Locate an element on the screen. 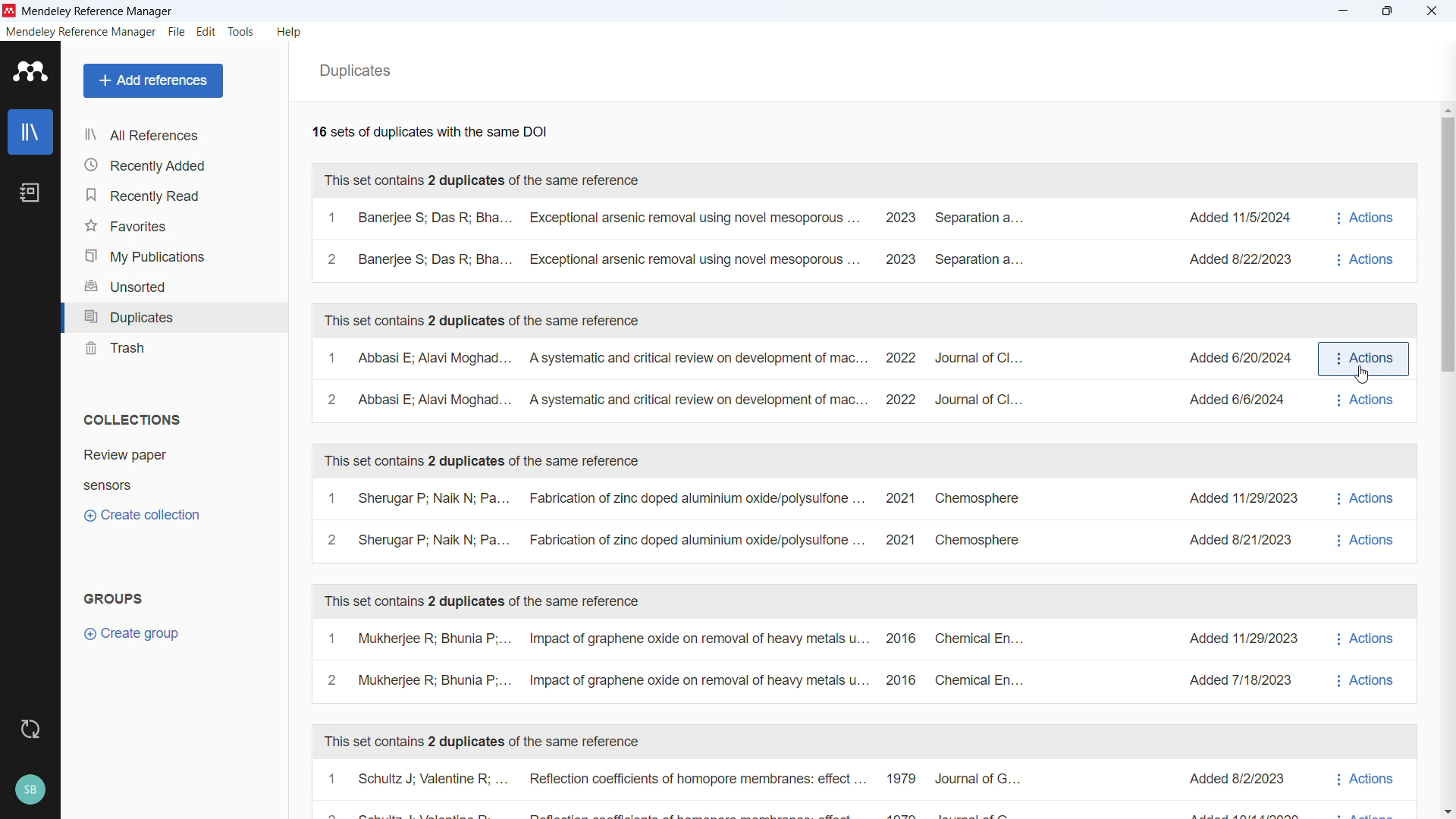  close  is located at coordinates (1431, 11).